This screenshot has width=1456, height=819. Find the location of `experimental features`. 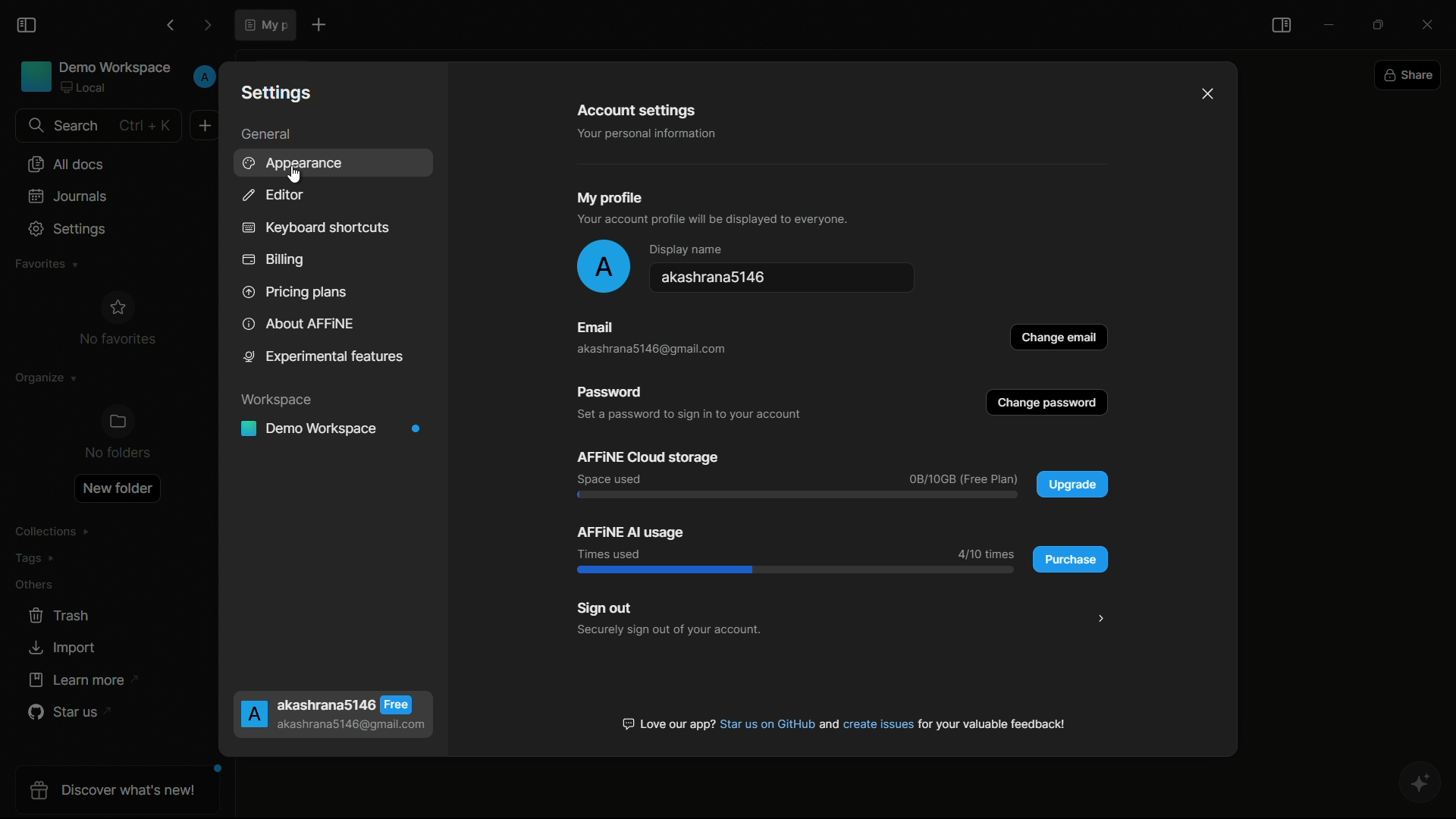

experimental features is located at coordinates (325, 359).